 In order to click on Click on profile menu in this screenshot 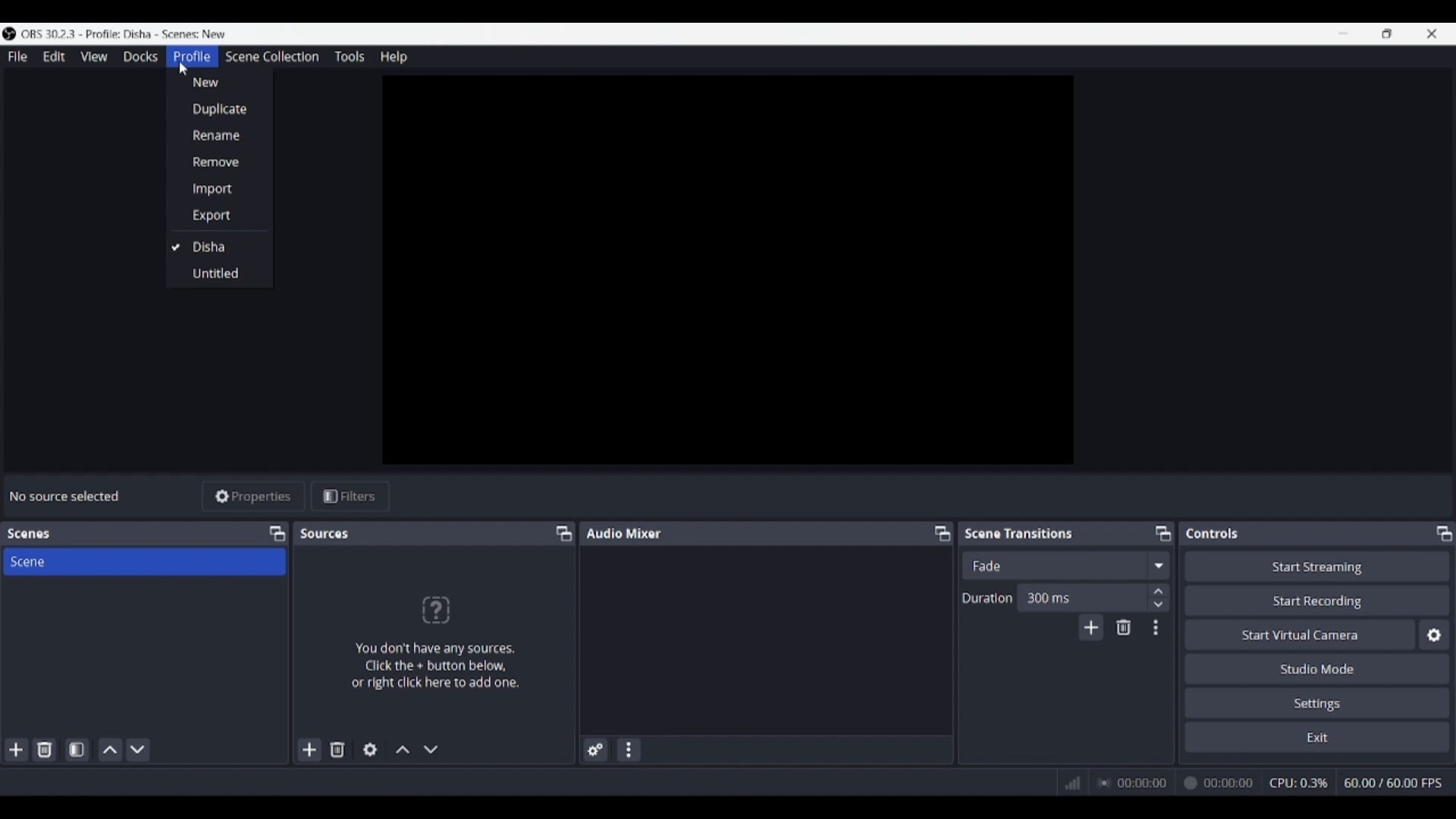, I will do `click(183, 68)`.